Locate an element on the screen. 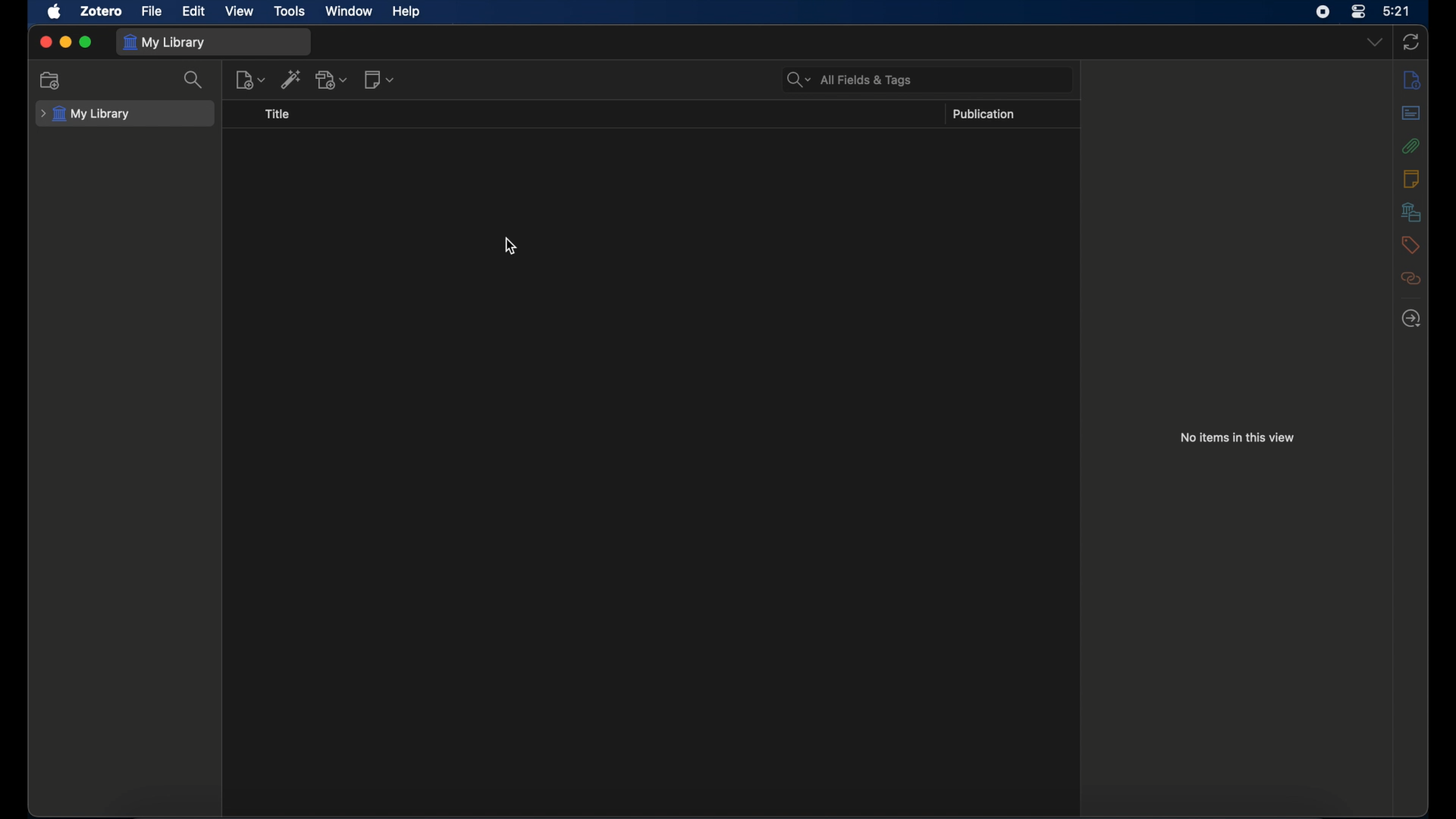 This screenshot has width=1456, height=819. attachments is located at coordinates (1411, 145).